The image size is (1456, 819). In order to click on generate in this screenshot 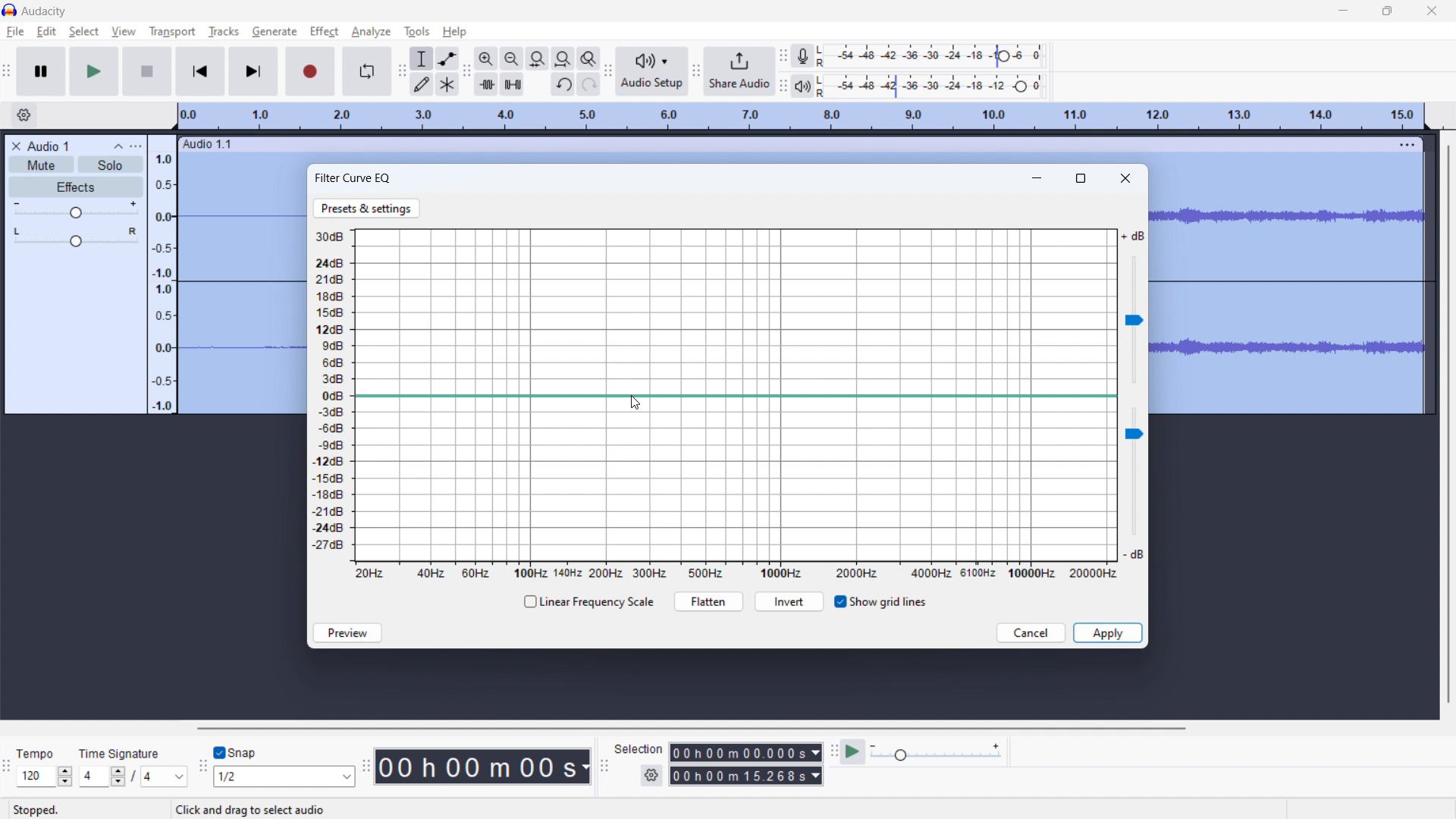, I will do `click(275, 31)`.